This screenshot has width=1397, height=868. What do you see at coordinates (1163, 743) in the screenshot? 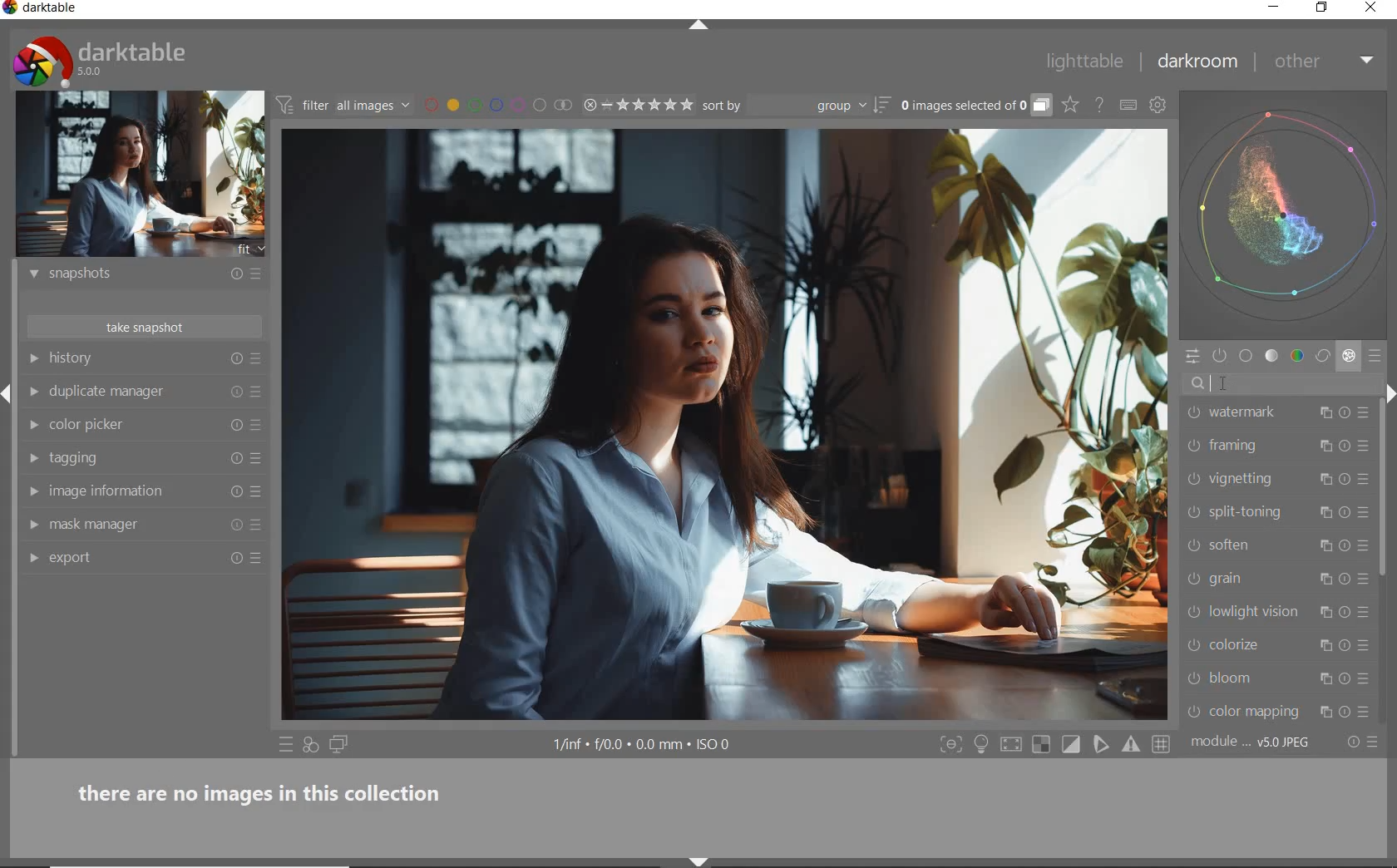
I see `Toggle guide lines` at bounding box center [1163, 743].